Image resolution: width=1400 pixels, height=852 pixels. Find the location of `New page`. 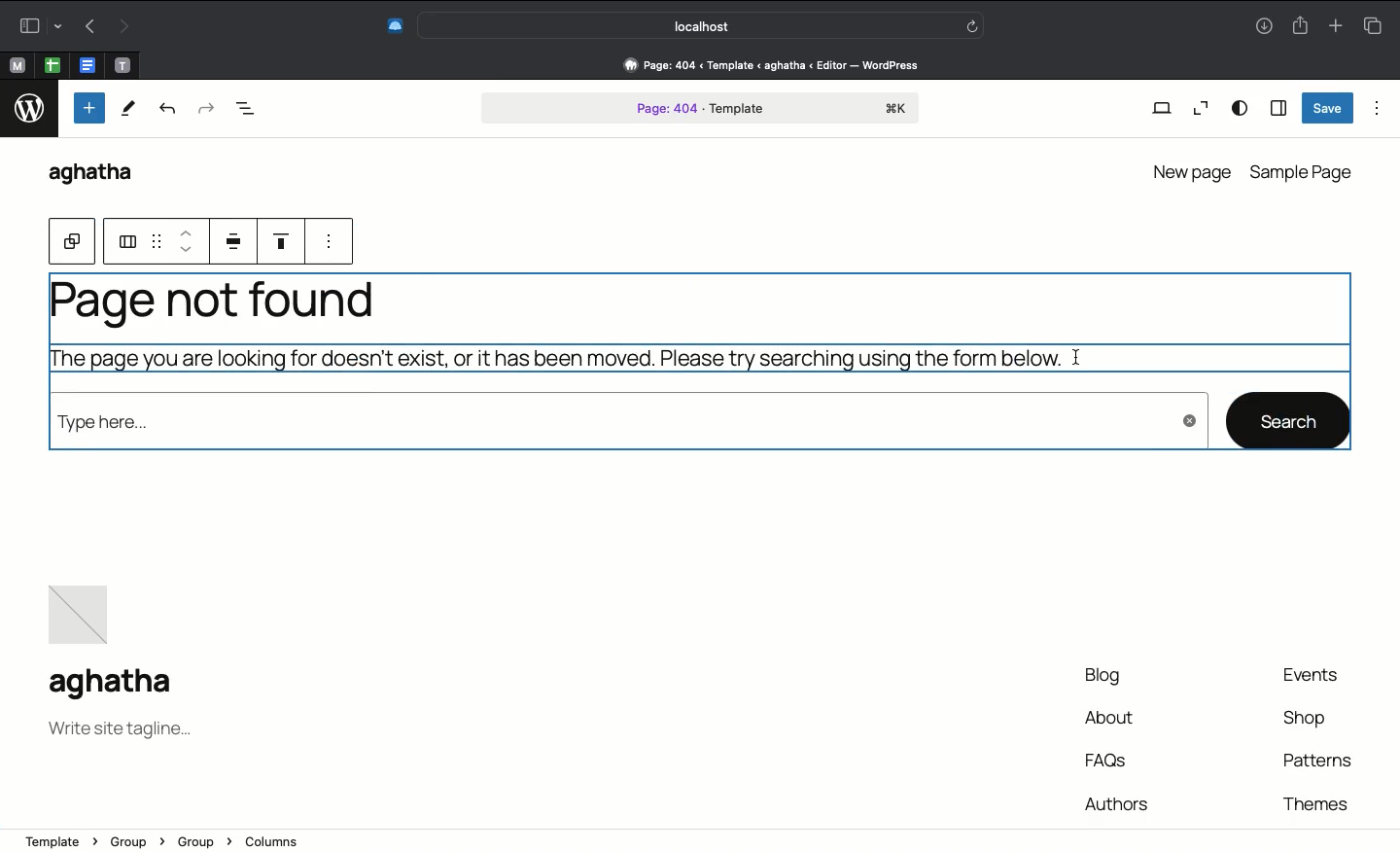

New page is located at coordinates (1189, 169).